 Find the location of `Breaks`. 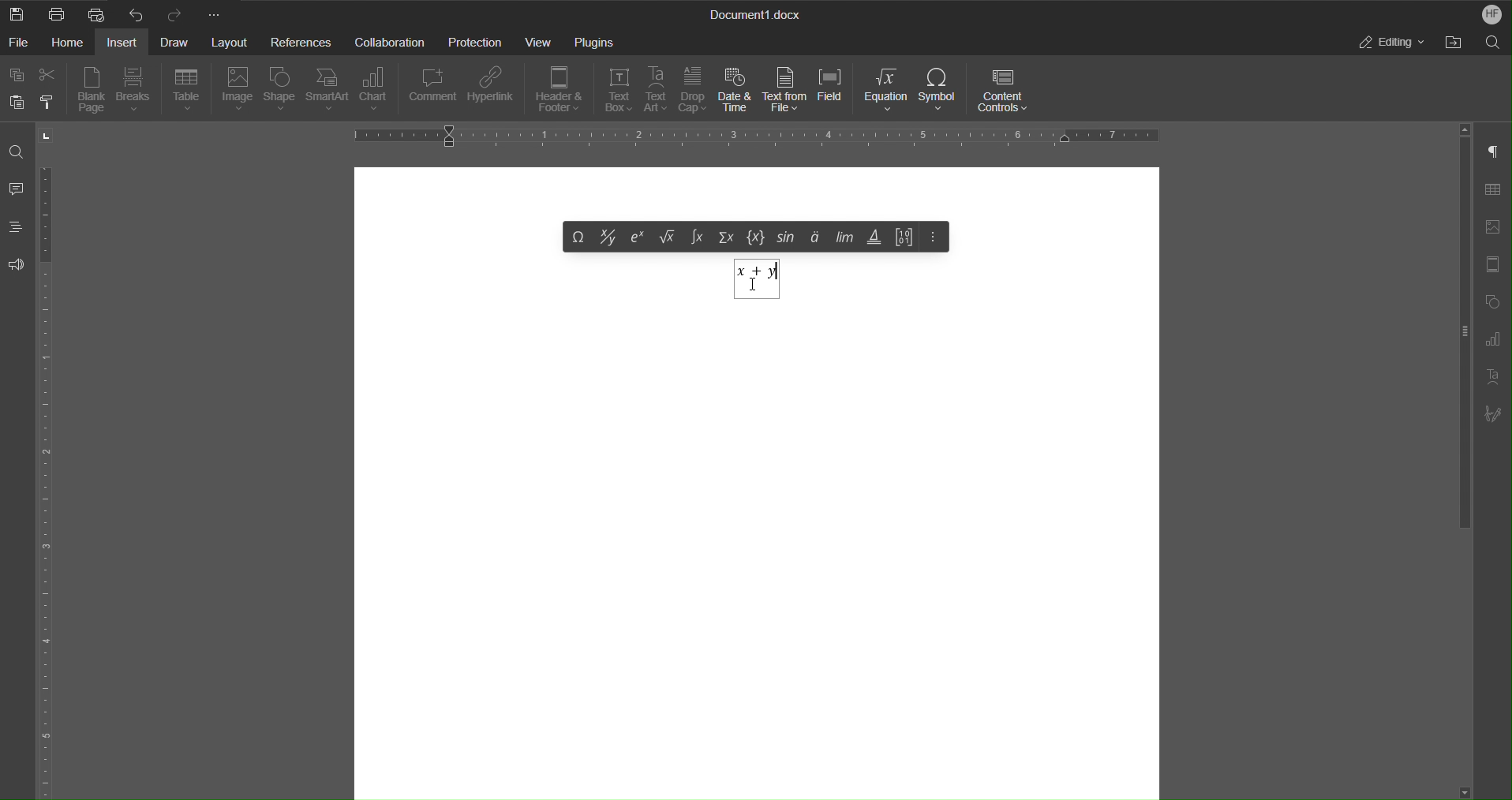

Breaks is located at coordinates (137, 91).